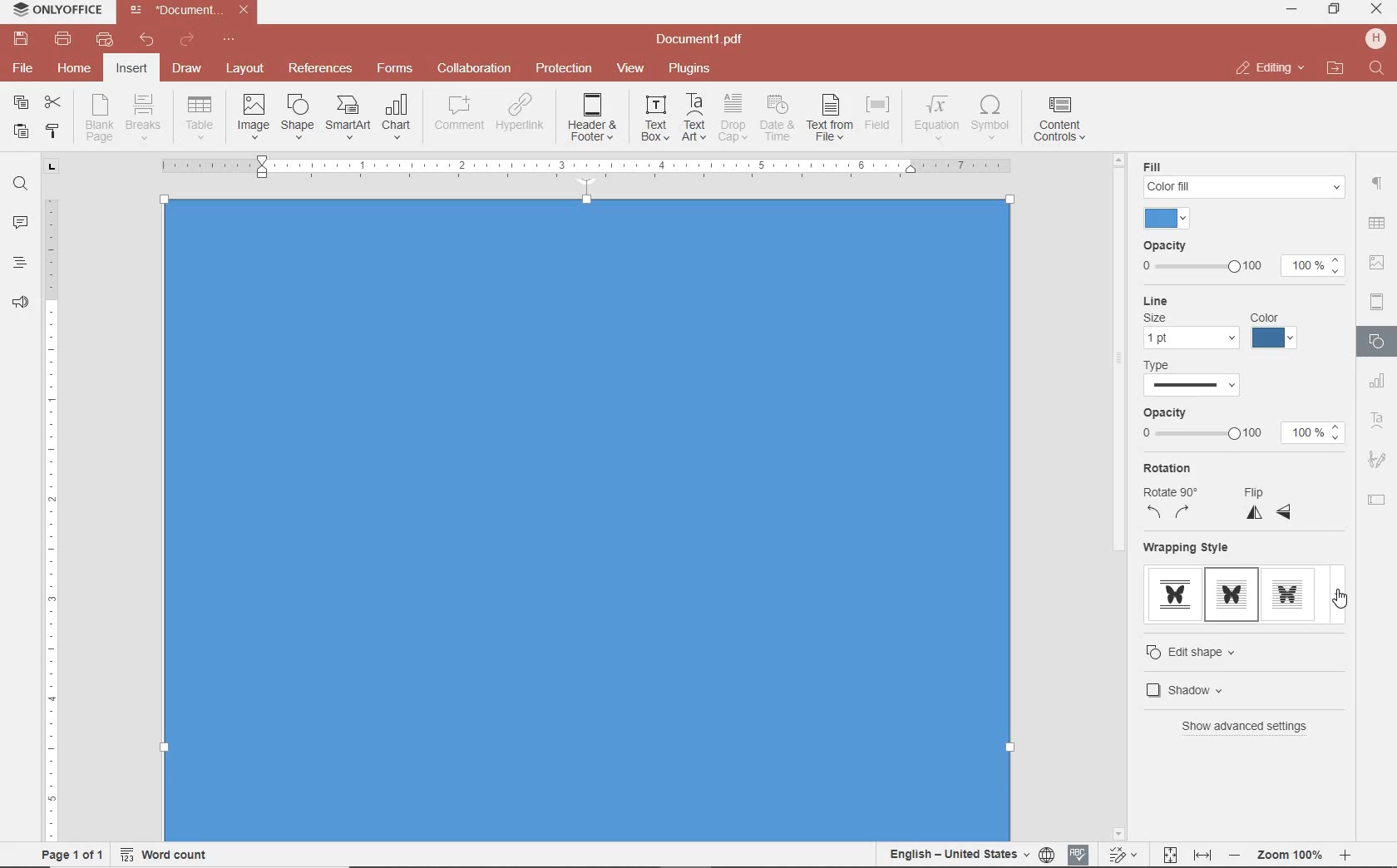 This screenshot has width=1397, height=868. I want to click on file name, so click(193, 10).